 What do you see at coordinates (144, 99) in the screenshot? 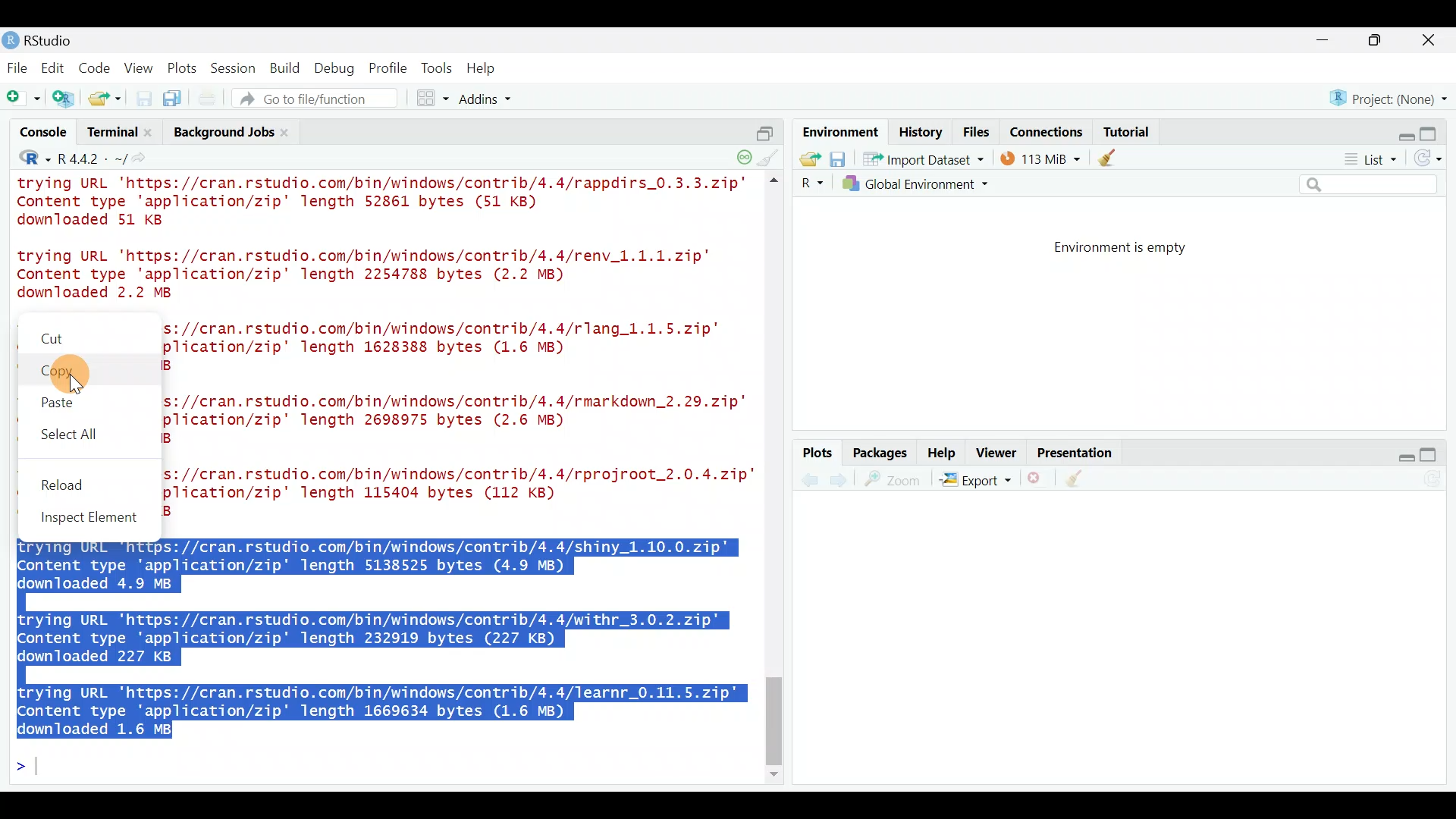
I see `Save current document` at bounding box center [144, 99].